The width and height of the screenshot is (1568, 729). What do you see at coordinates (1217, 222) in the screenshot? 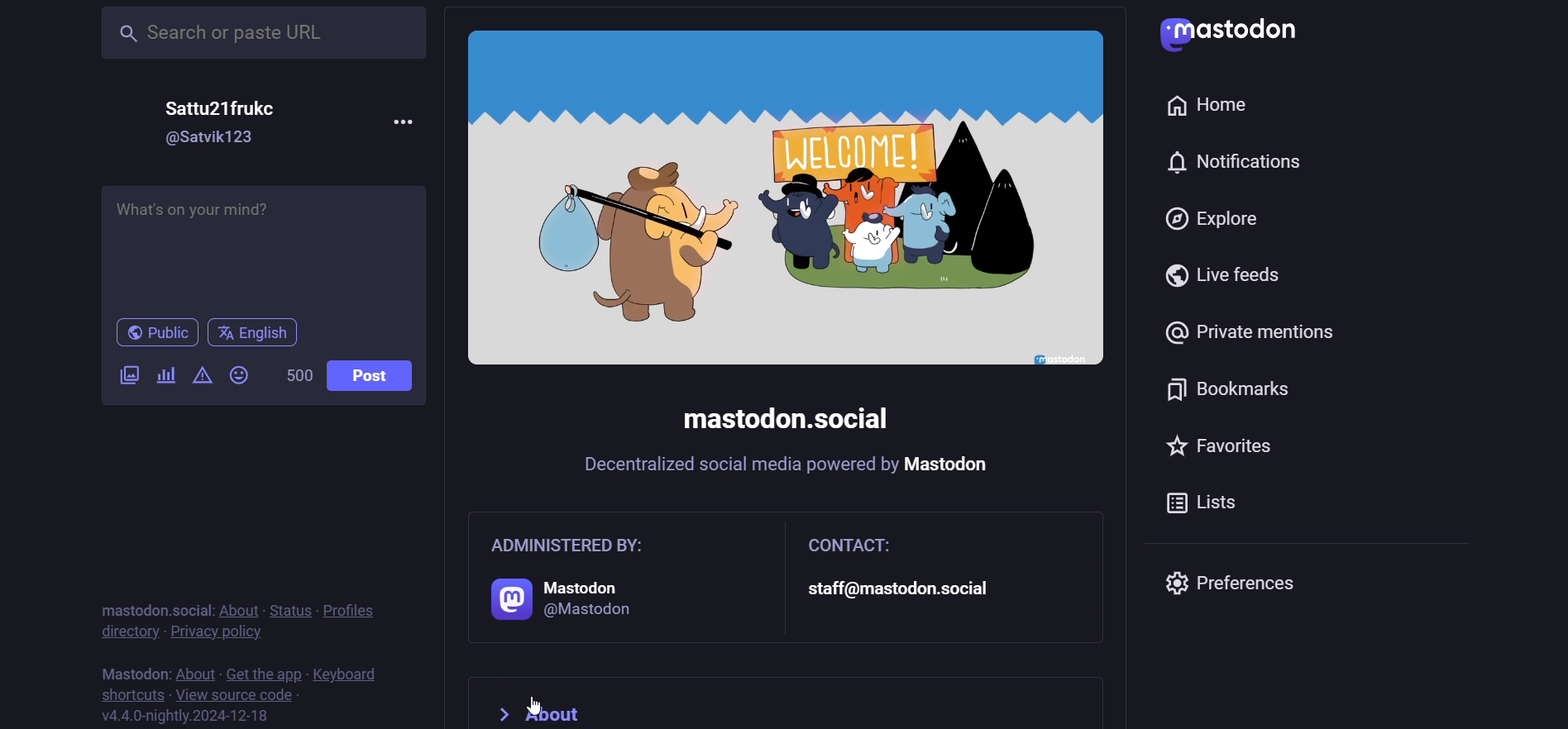
I see `explore` at bounding box center [1217, 222].